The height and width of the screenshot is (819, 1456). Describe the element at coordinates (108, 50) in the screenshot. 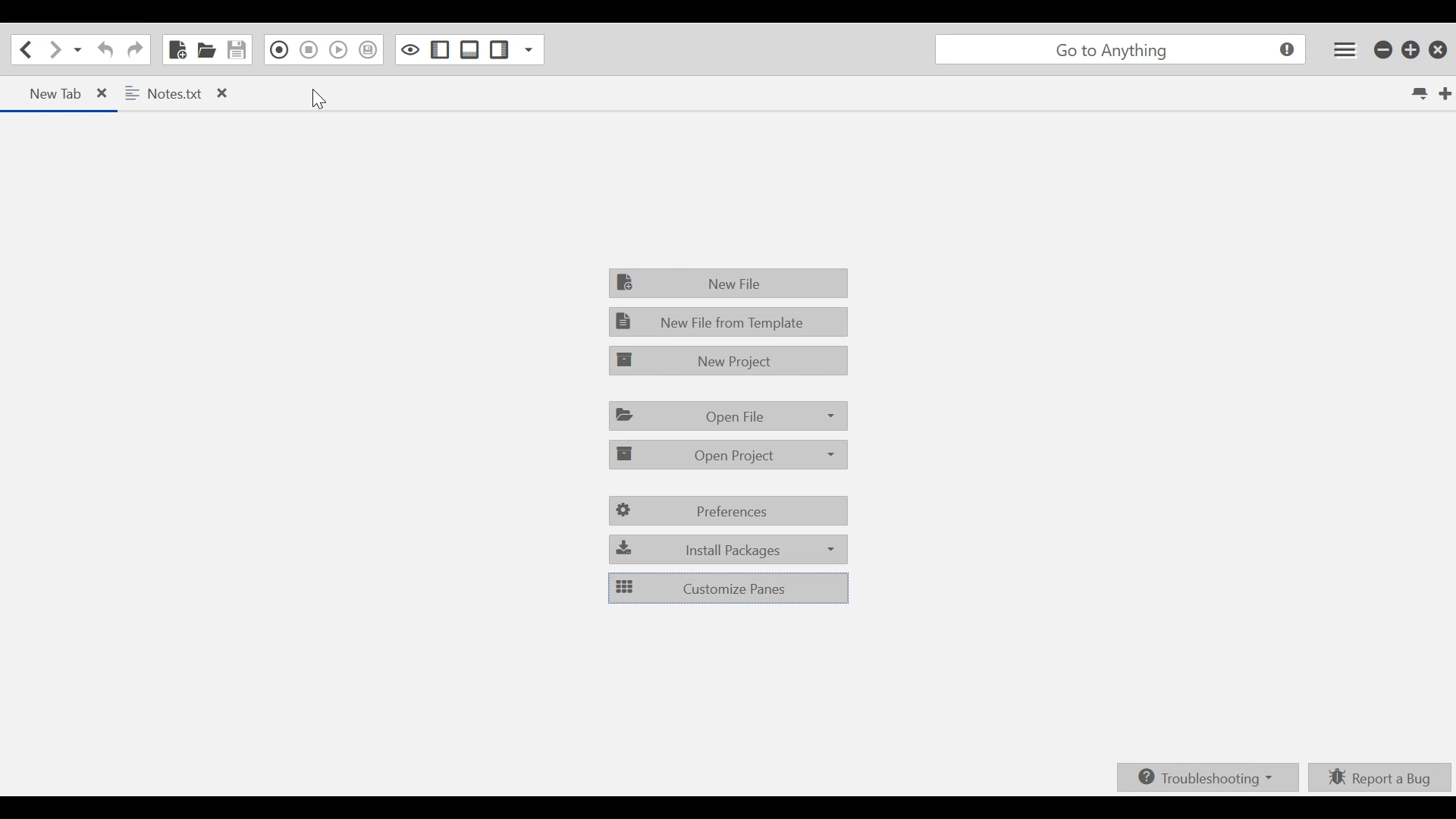

I see `Undo last Action` at that location.